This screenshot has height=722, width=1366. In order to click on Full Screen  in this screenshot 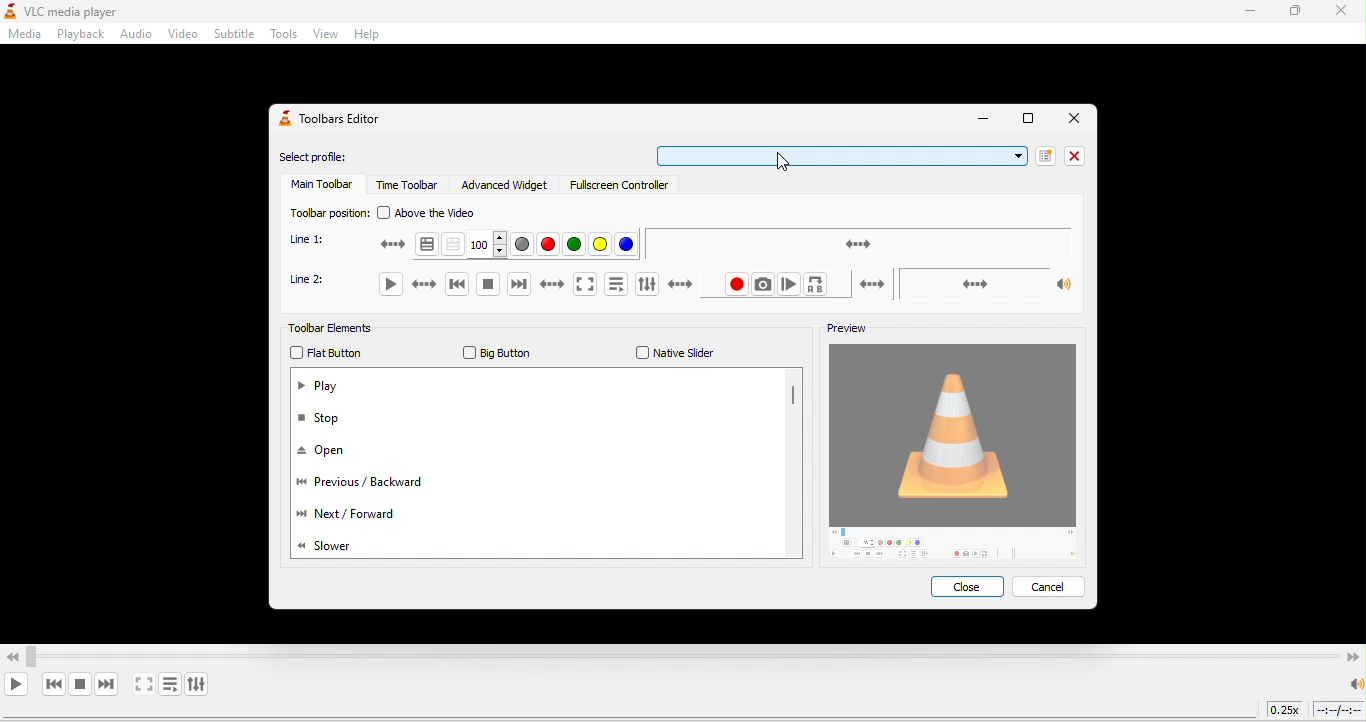, I will do `click(1025, 121)`.